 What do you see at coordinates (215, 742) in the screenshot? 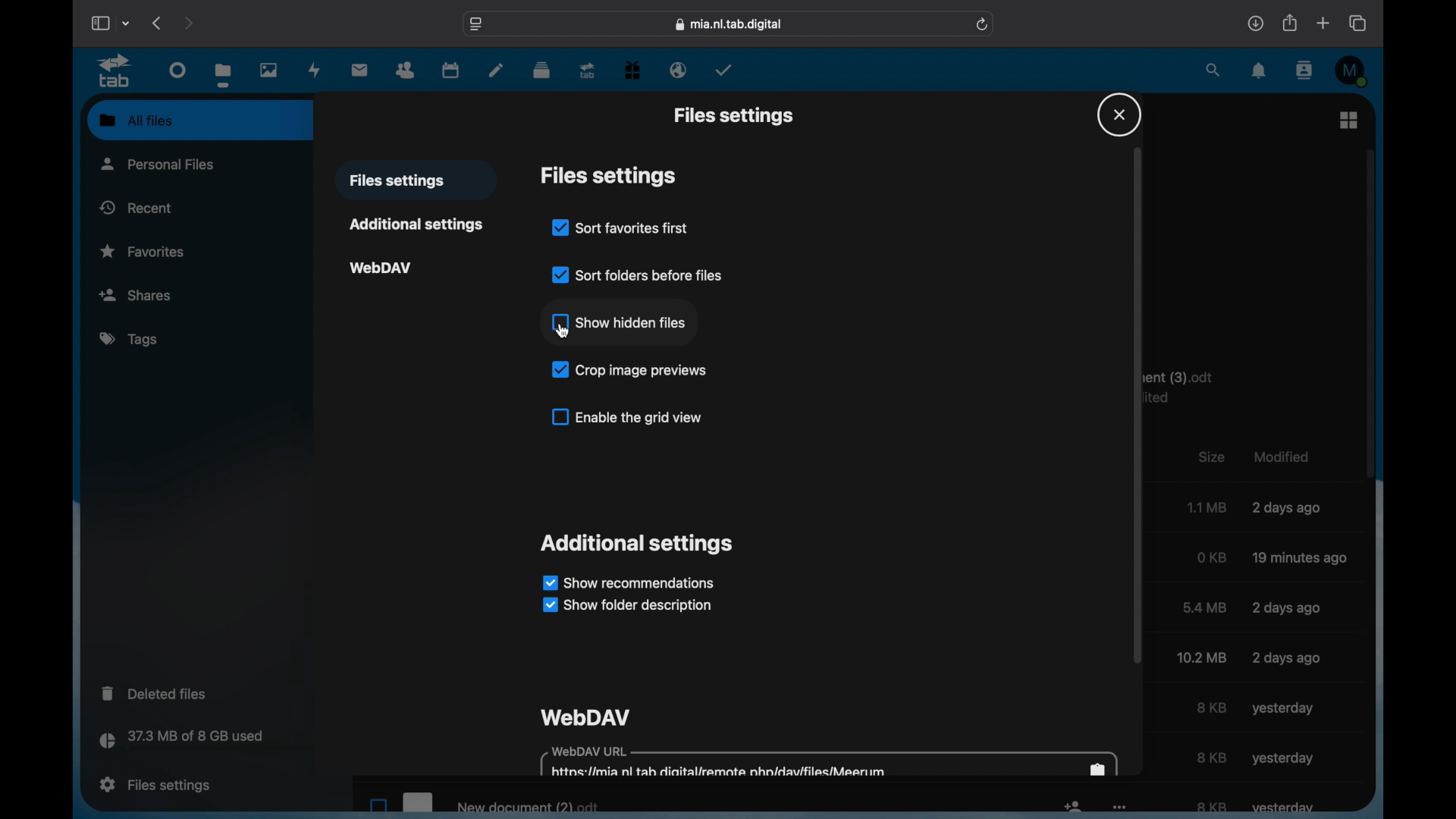
I see `storage` at bounding box center [215, 742].